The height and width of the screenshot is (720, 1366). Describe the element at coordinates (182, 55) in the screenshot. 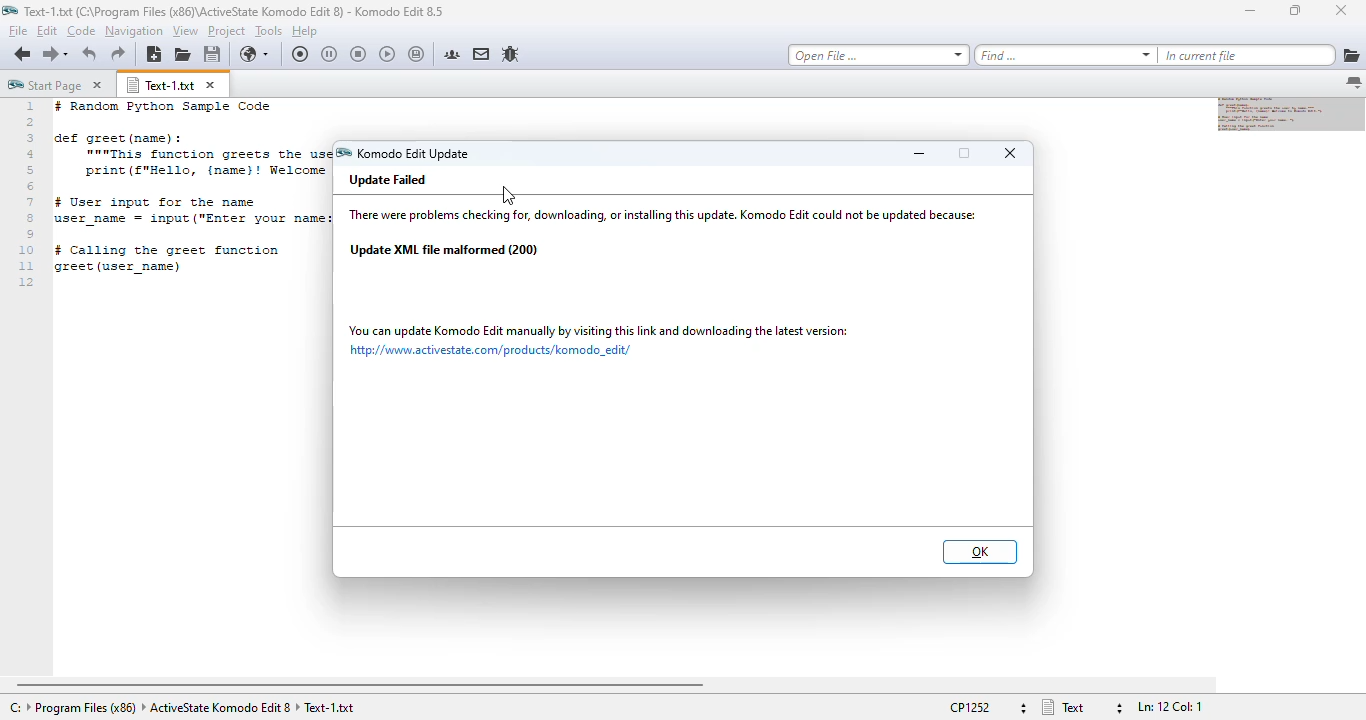

I see `open file` at that location.